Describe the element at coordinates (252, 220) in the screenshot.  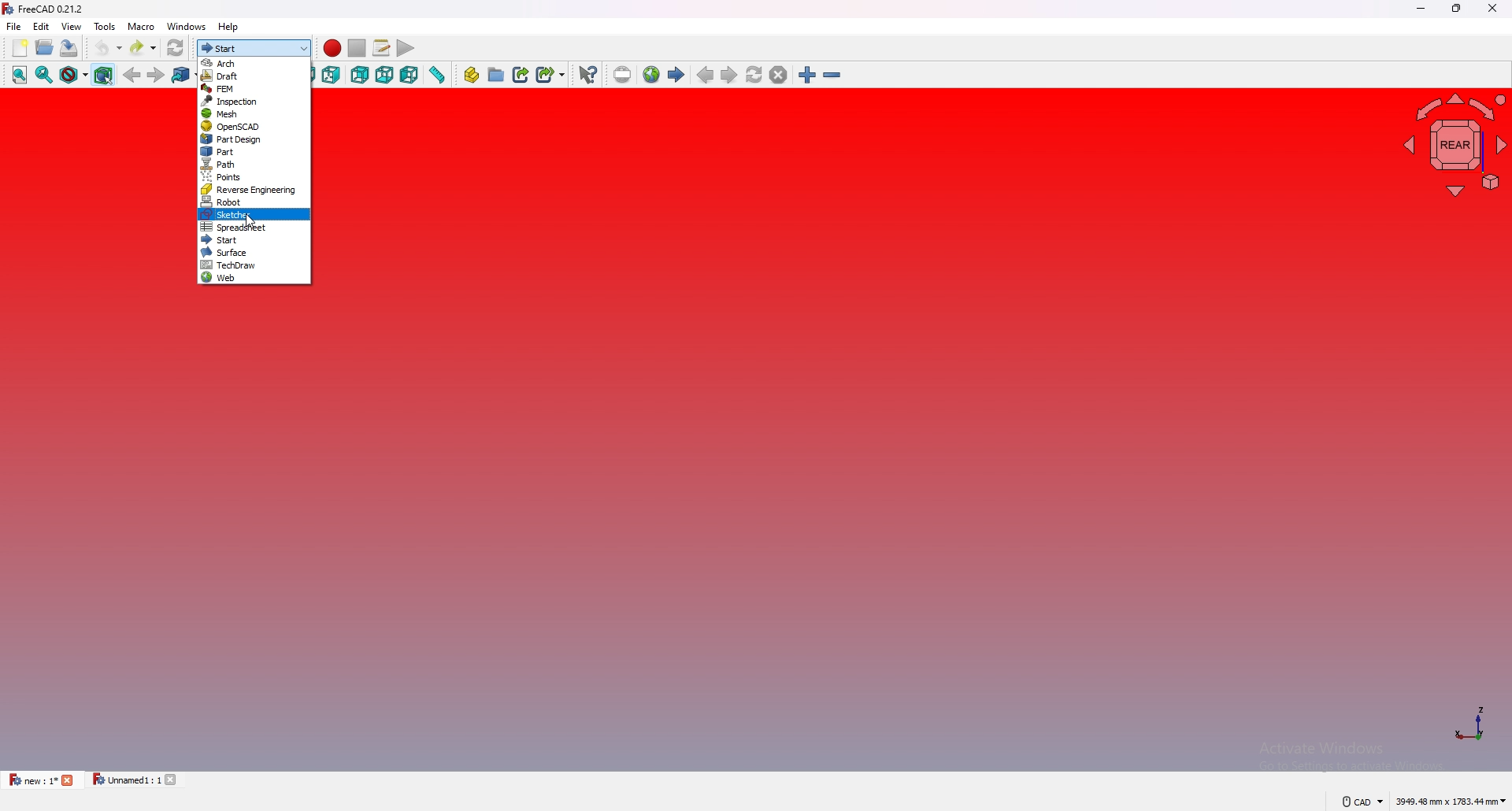
I see `cursor` at that location.